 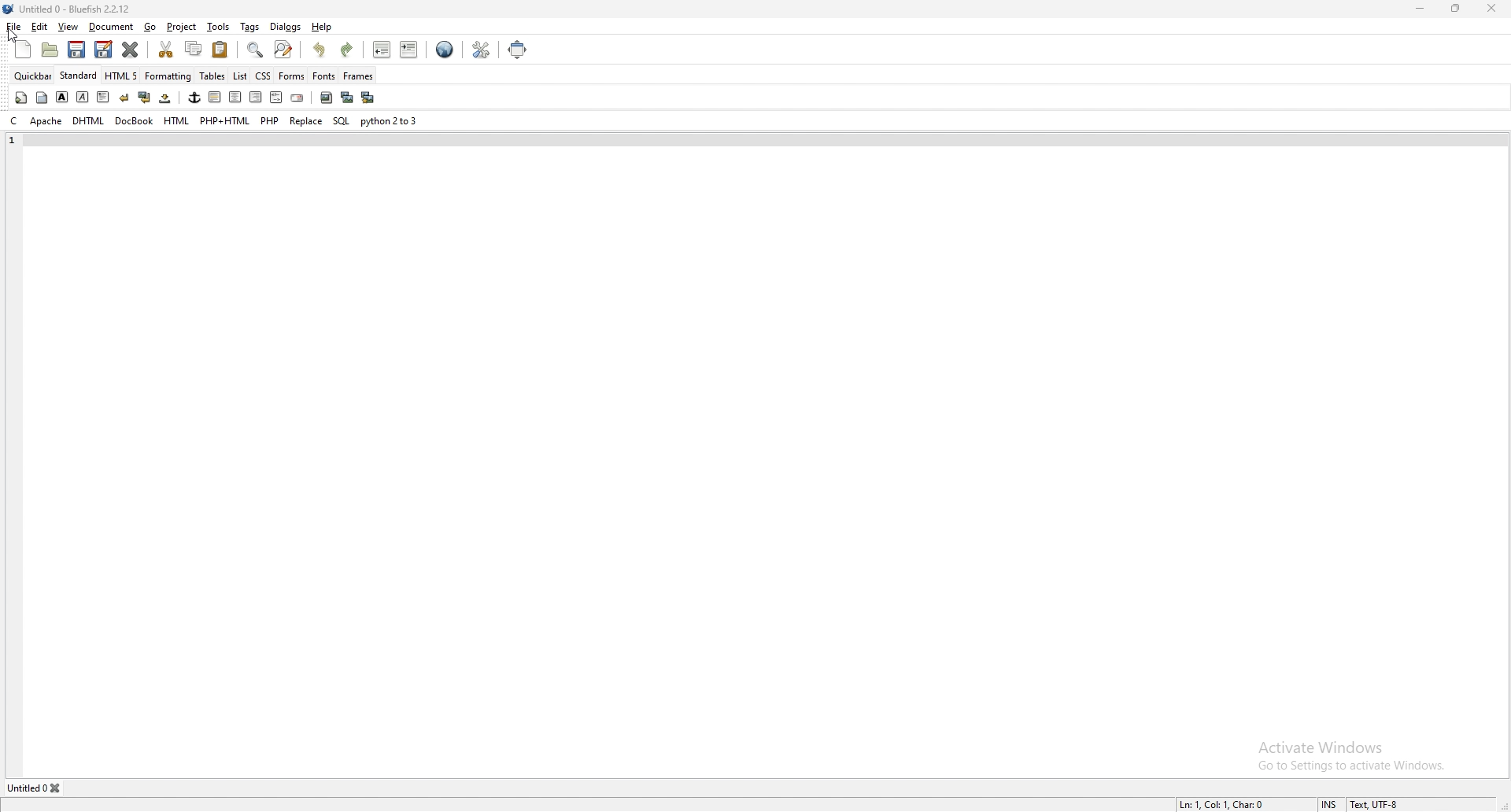 What do you see at coordinates (350, 50) in the screenshot?
I see `redo` at bounding box center [350, 50].